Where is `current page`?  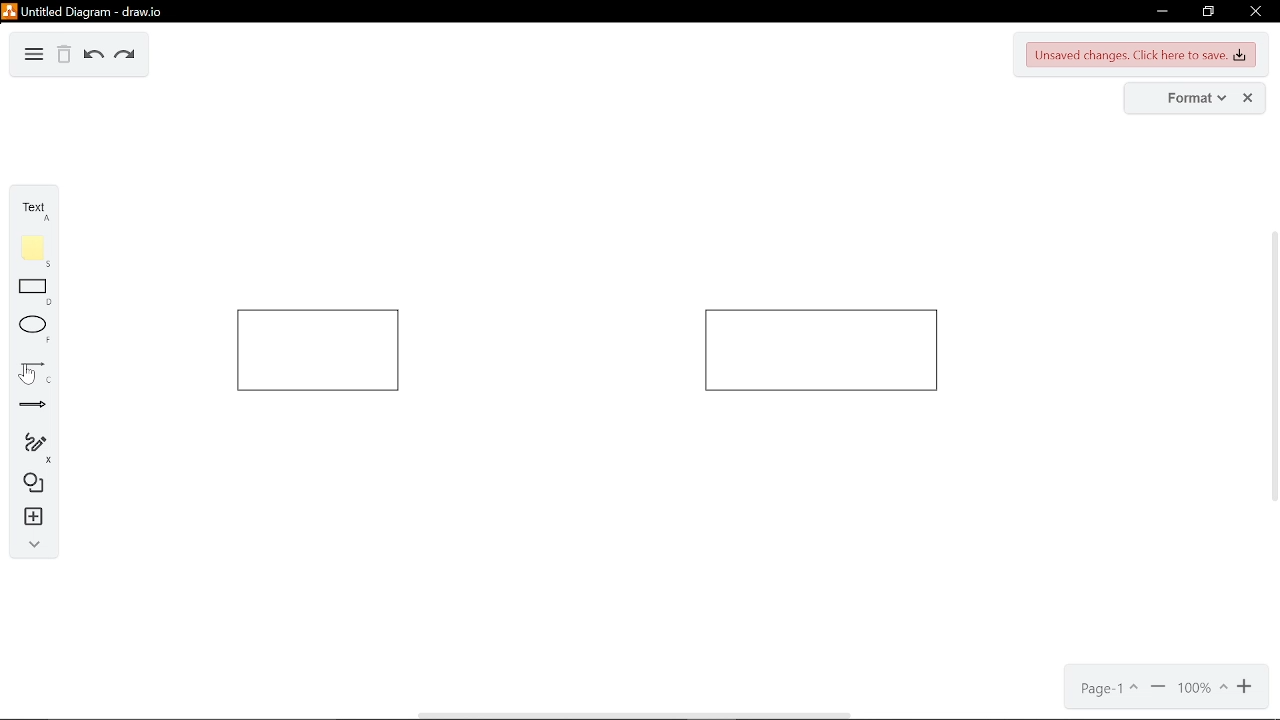
current page is located at coordinates (1106, 691).